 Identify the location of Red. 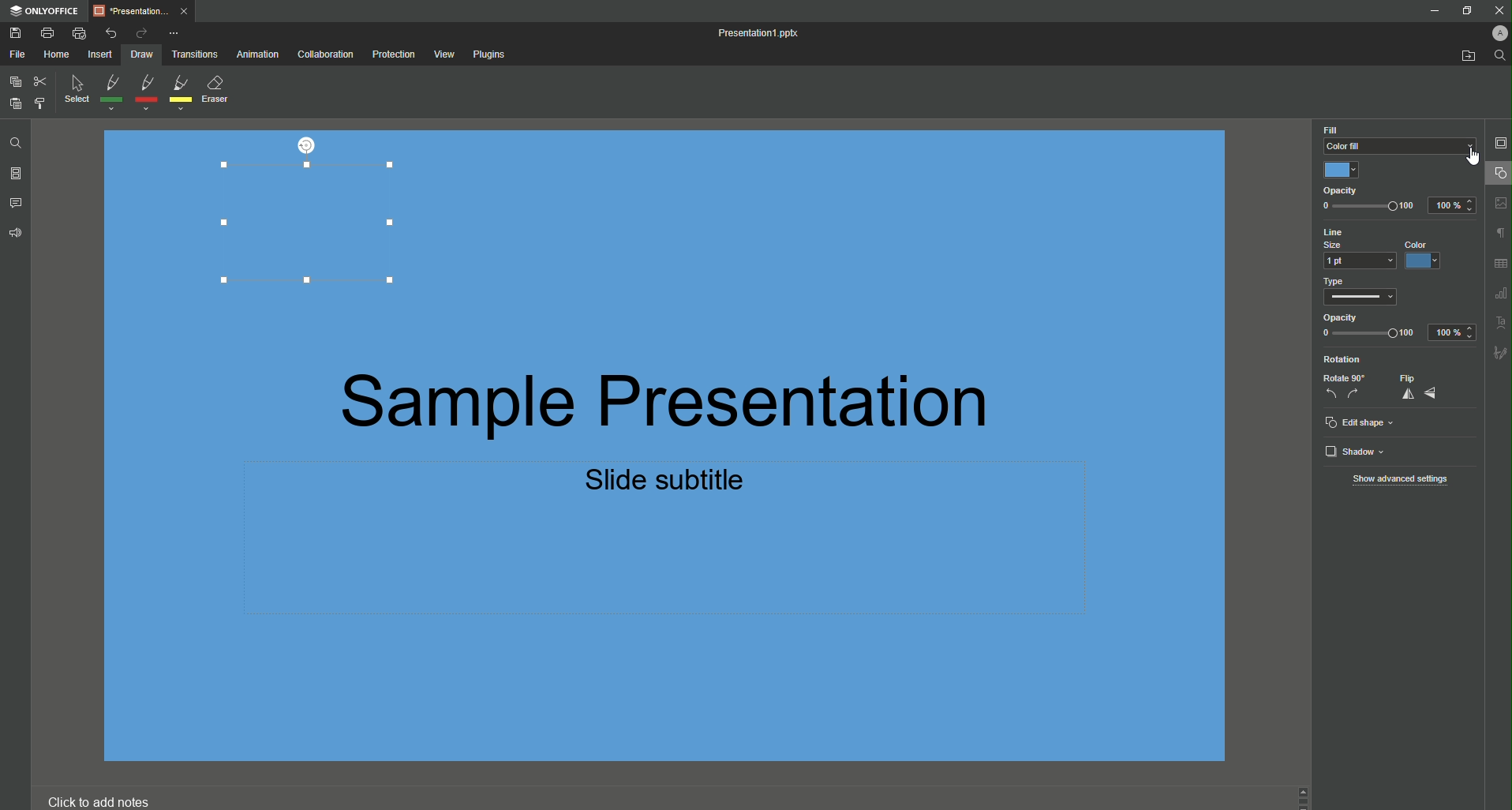
(144, 92).